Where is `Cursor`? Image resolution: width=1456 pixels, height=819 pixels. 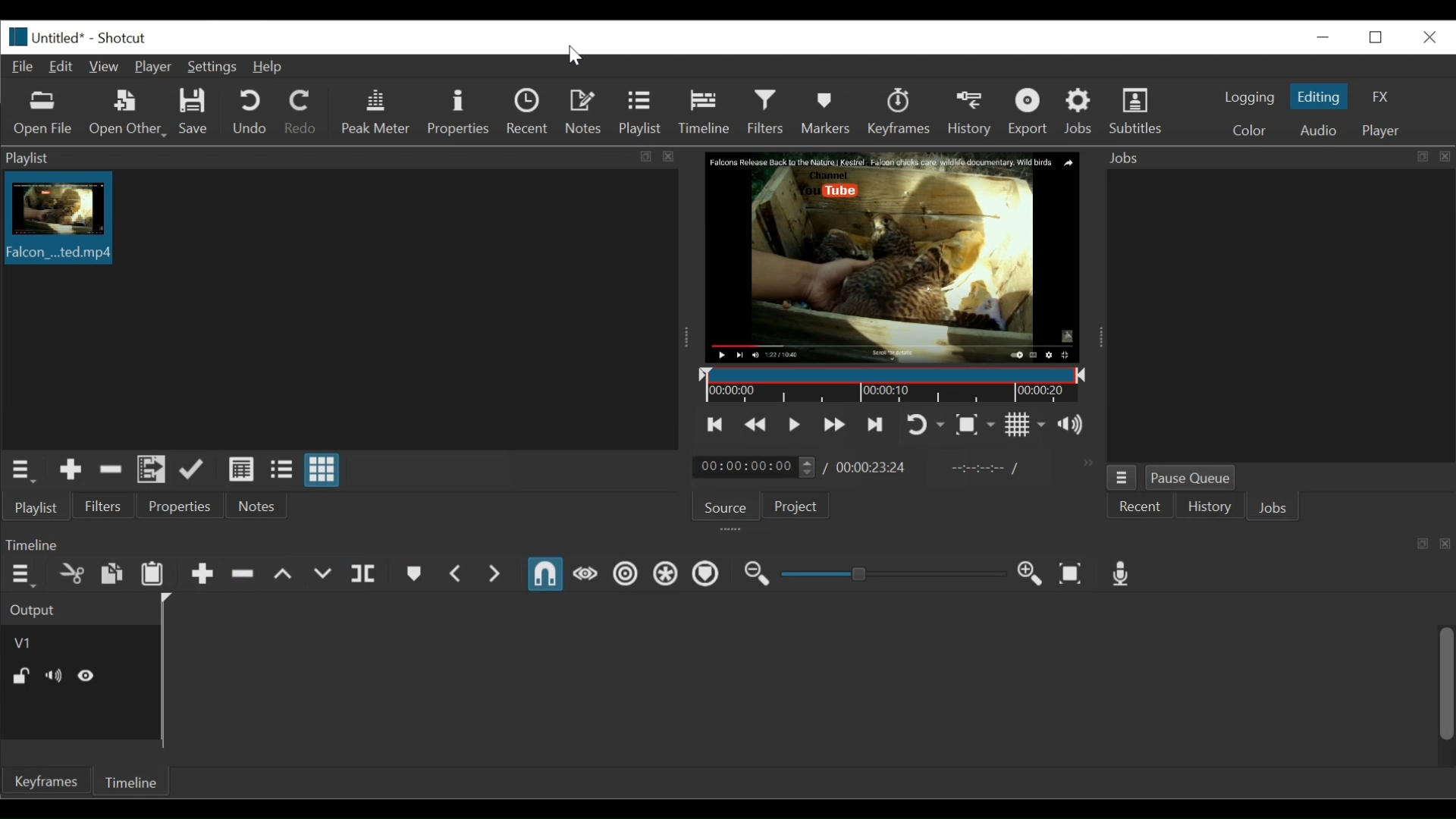
Cursor is located at coordinates (579, 55).